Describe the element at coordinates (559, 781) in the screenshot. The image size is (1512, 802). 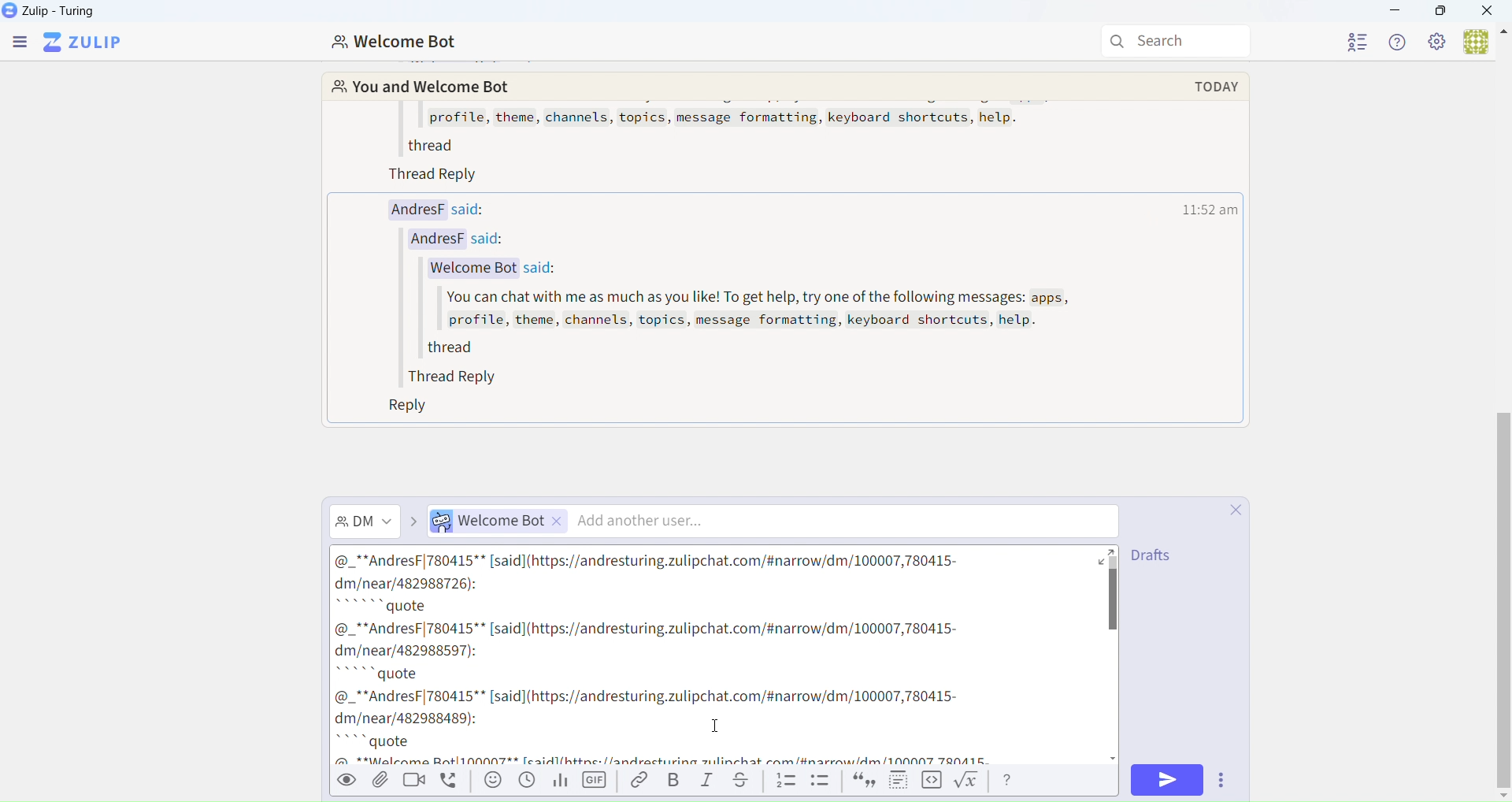
I see `Stats` at that location.